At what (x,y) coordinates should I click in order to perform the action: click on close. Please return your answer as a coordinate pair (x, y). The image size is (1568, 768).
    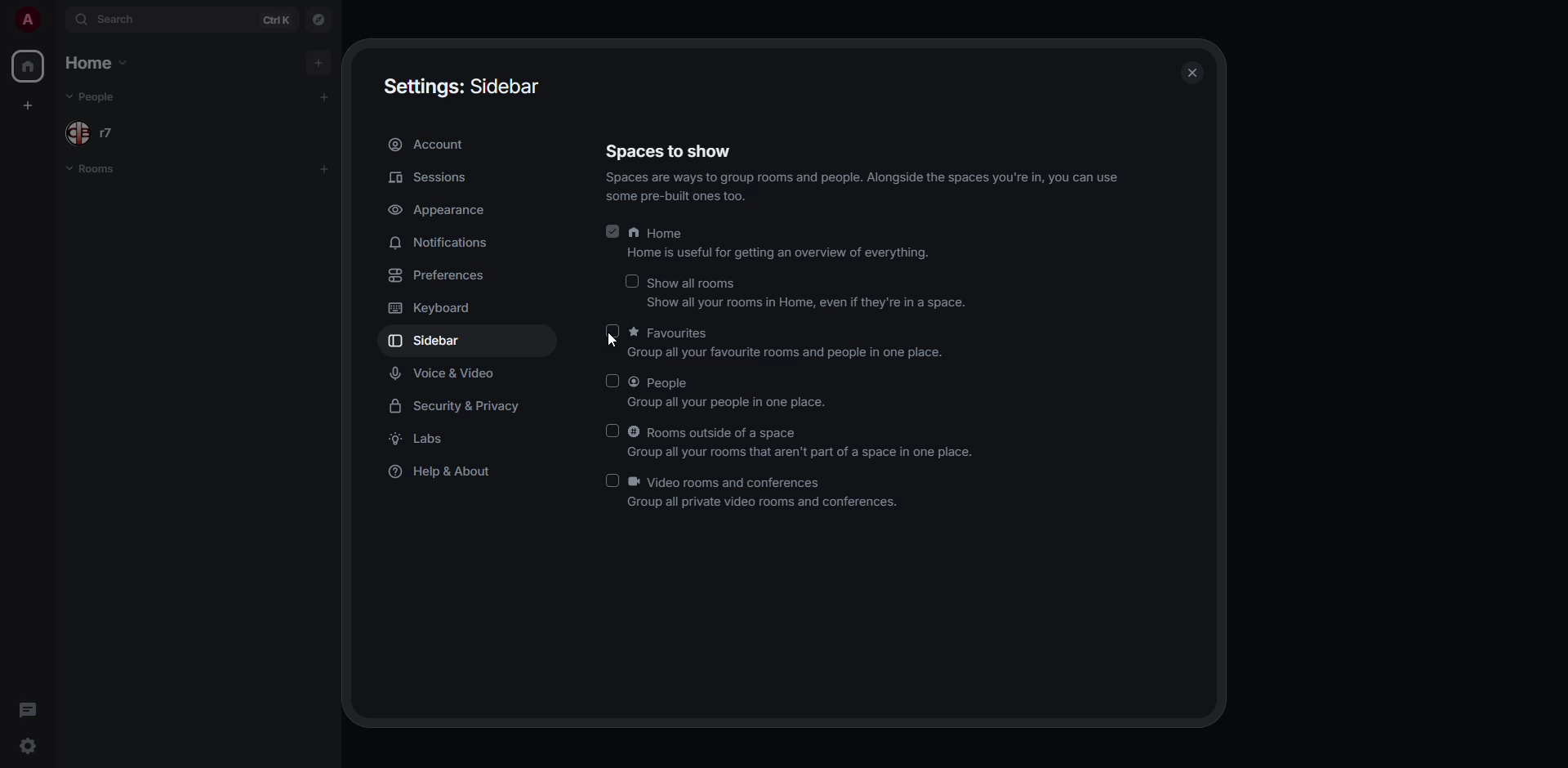
    Looking at the image, I should click on (1192, 66).